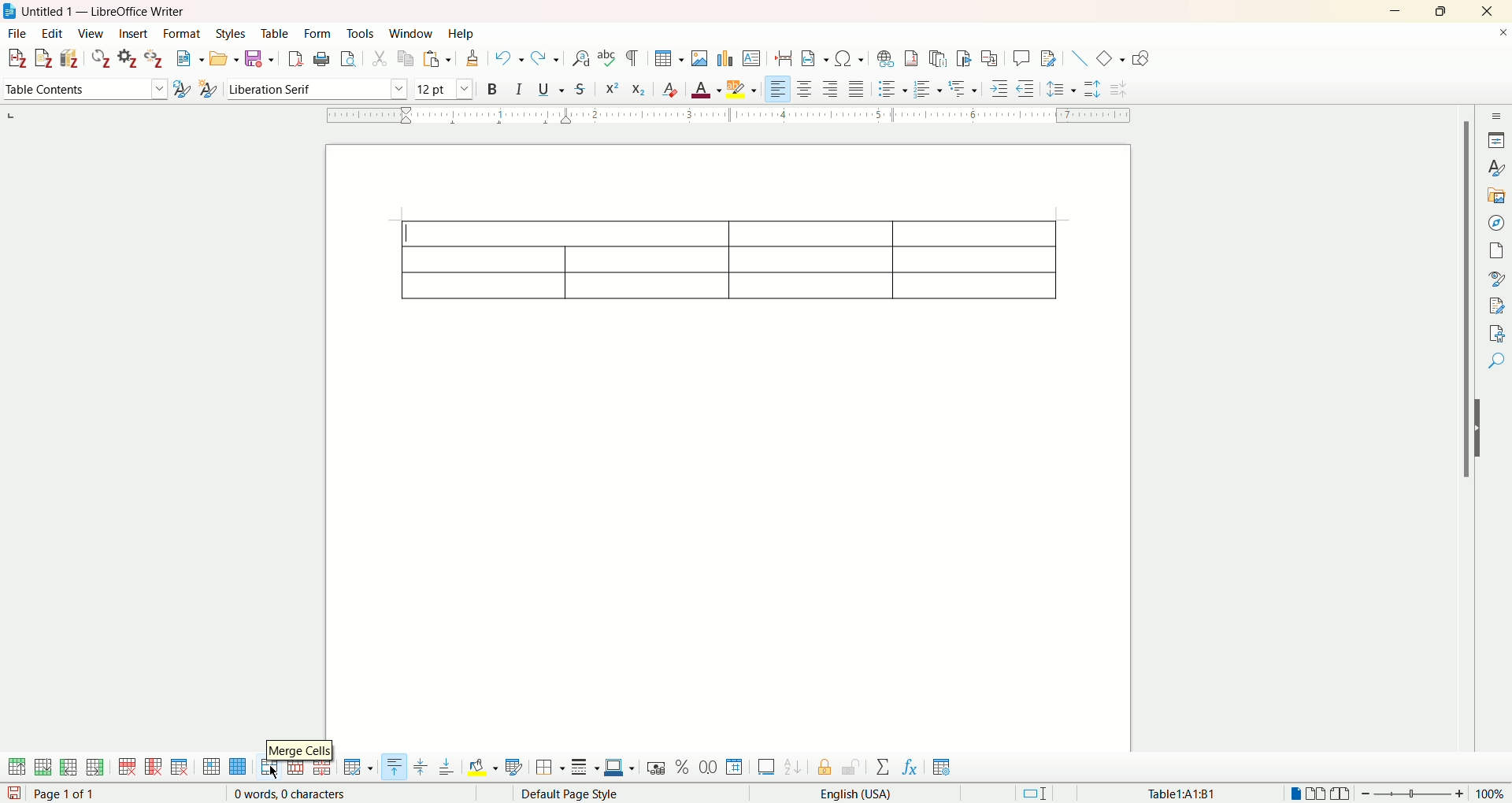  Describe the element at coordinates (317, 31) in the screenshot. I see `form` at that location.